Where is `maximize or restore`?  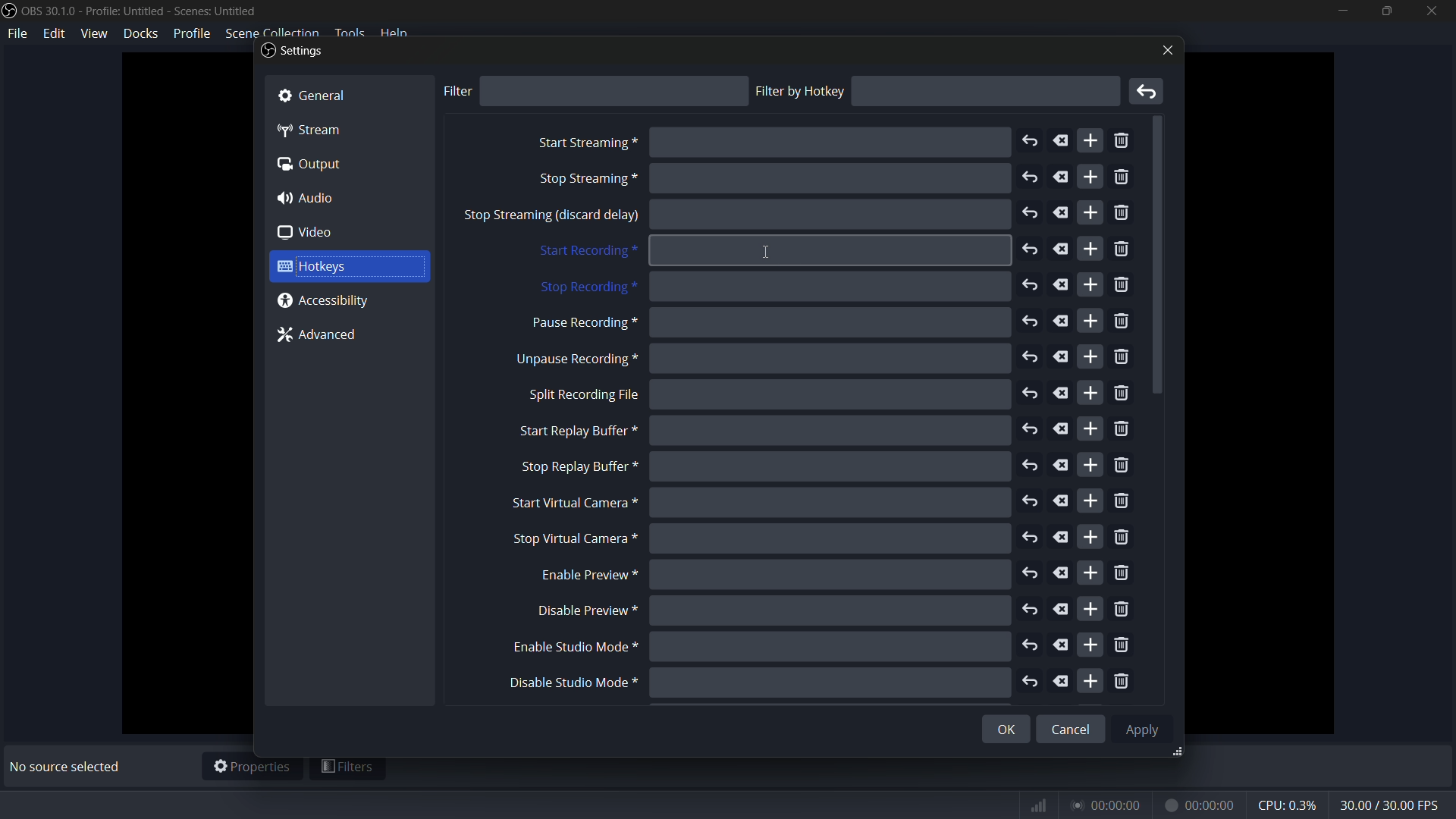
maximize or restore is located at coordinates (1385, 11).